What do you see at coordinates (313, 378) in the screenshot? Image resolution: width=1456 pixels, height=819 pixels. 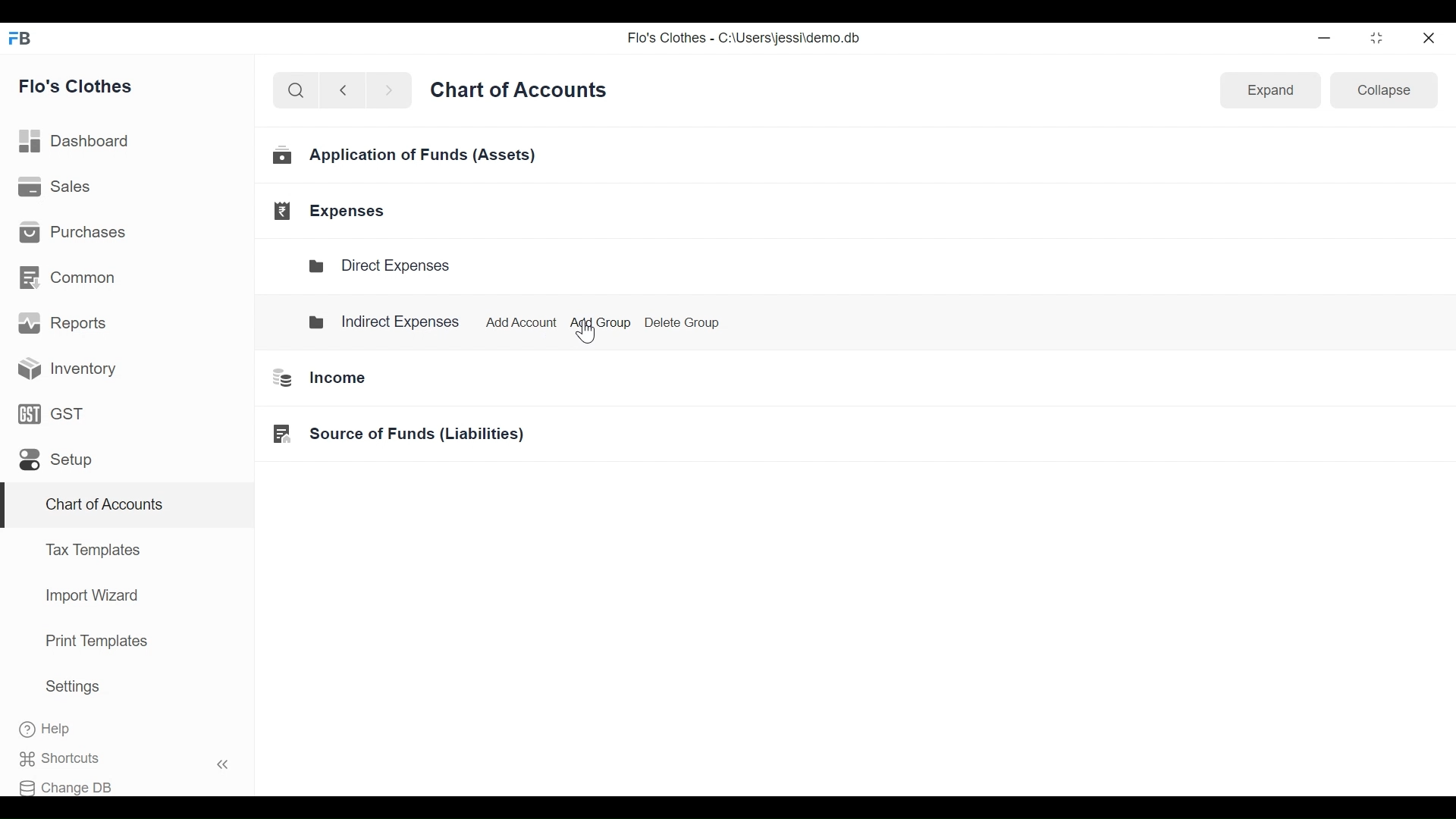 I see `Income` at bounding box center [313, 378].